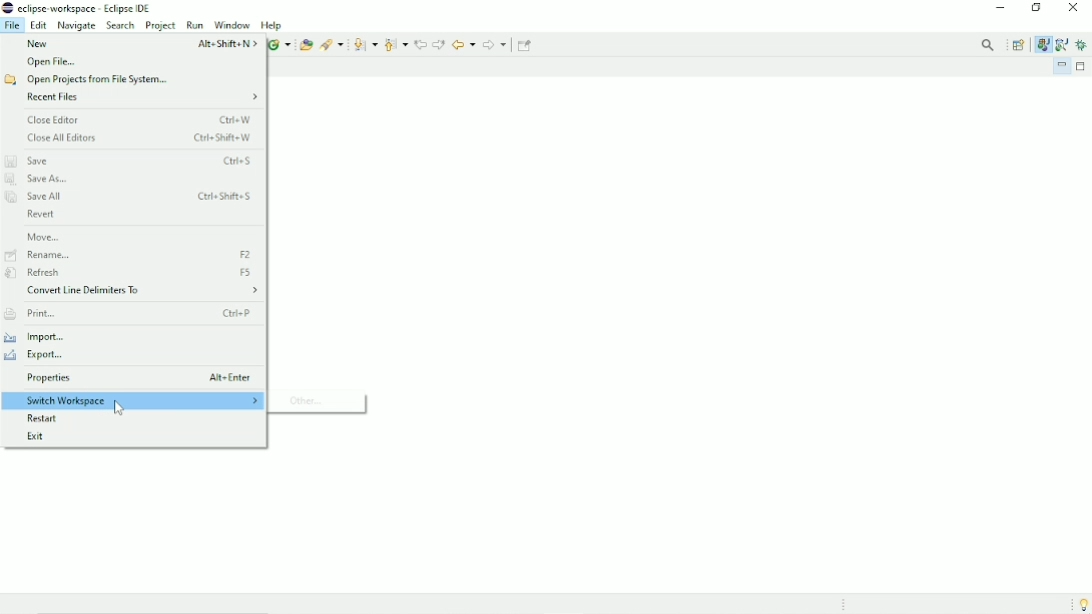 The image size is (1092, 614). Describe the element at coordinates (39, 25) in the screenshot. I see `Edit` at that location.